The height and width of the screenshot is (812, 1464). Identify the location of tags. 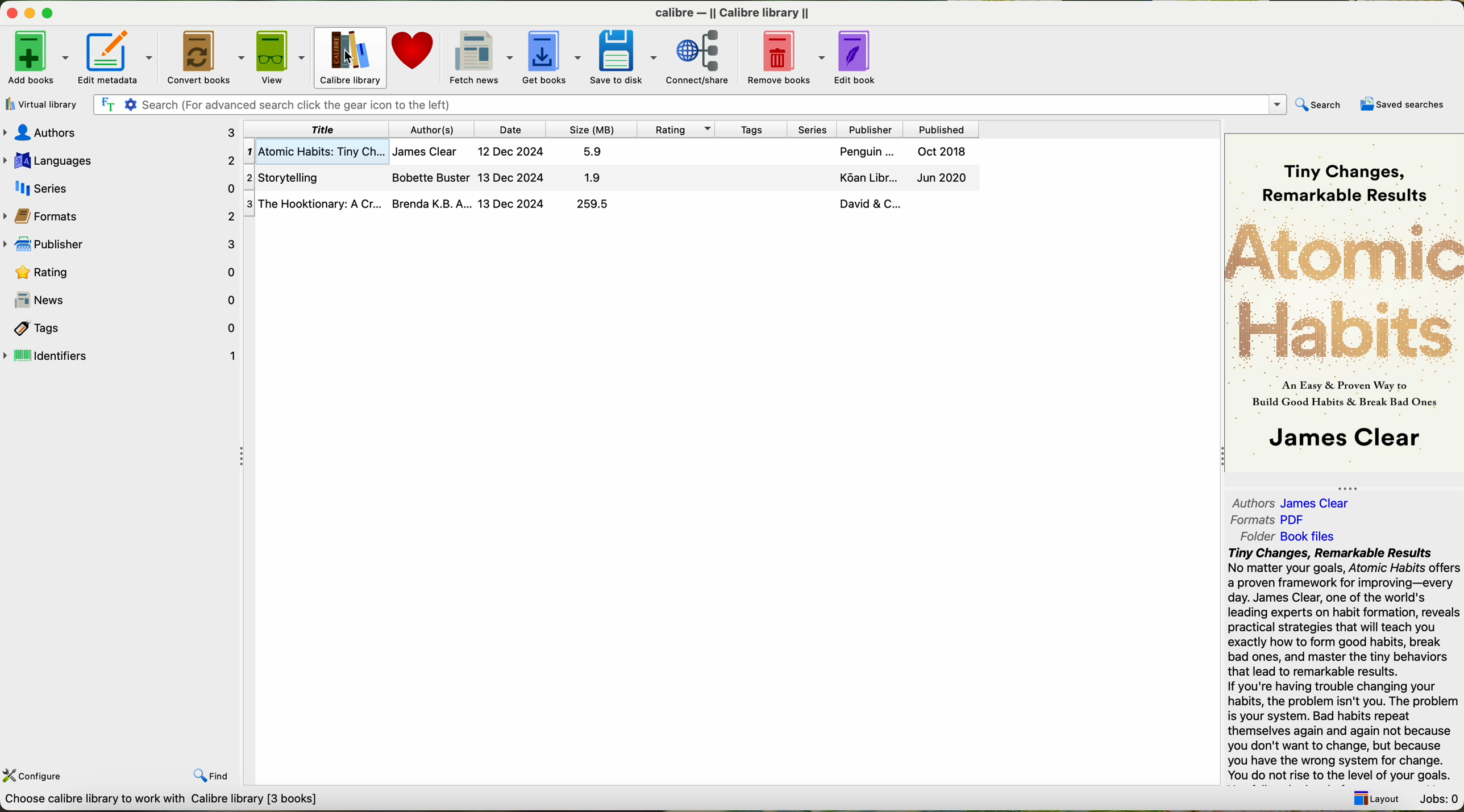
(122, 327).